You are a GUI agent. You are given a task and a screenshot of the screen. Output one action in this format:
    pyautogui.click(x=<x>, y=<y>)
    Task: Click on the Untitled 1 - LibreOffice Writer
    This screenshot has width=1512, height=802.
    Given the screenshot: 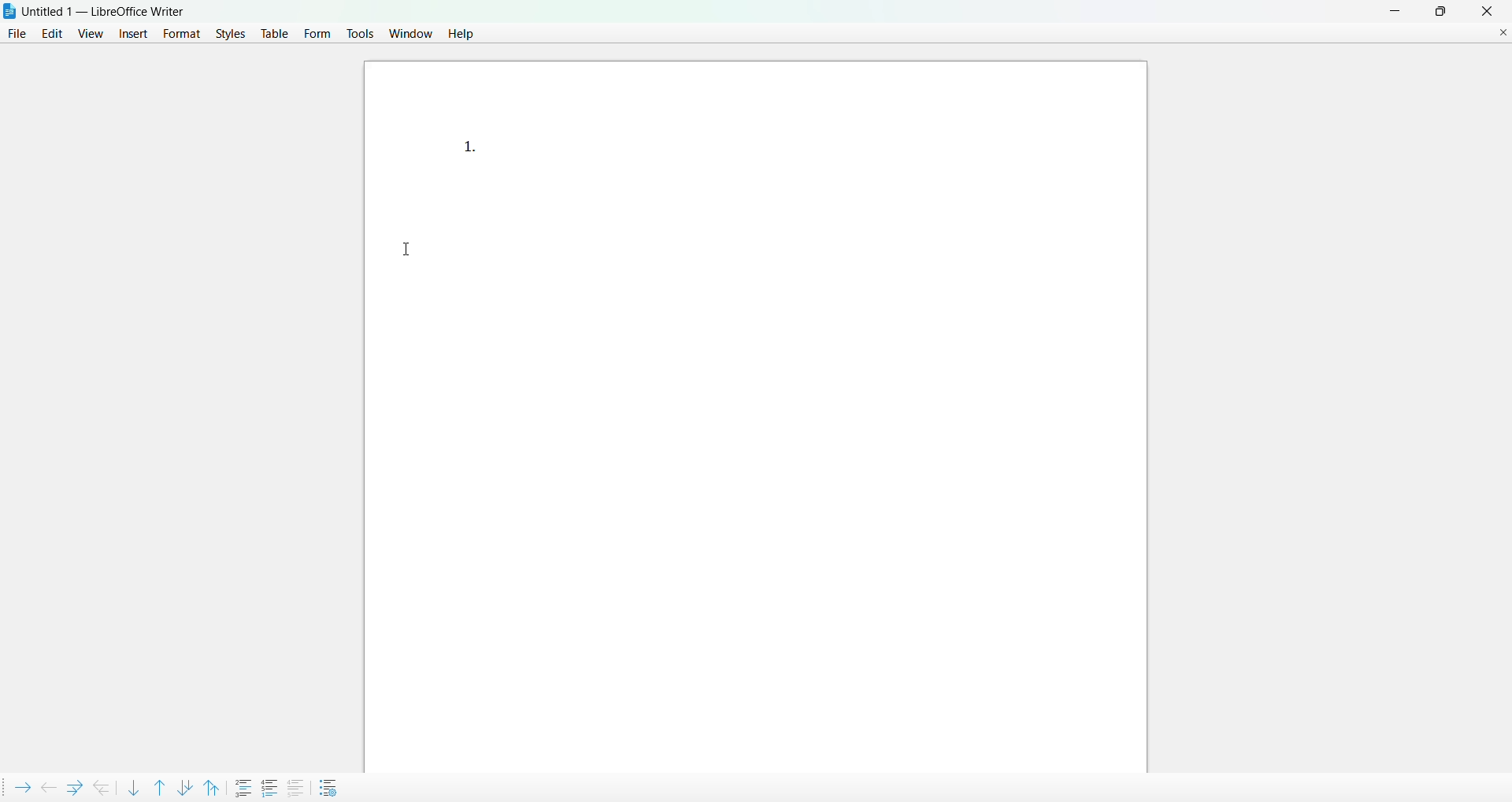 What is the action you would take?
    pyautogui.click(x=107, y=12)
    